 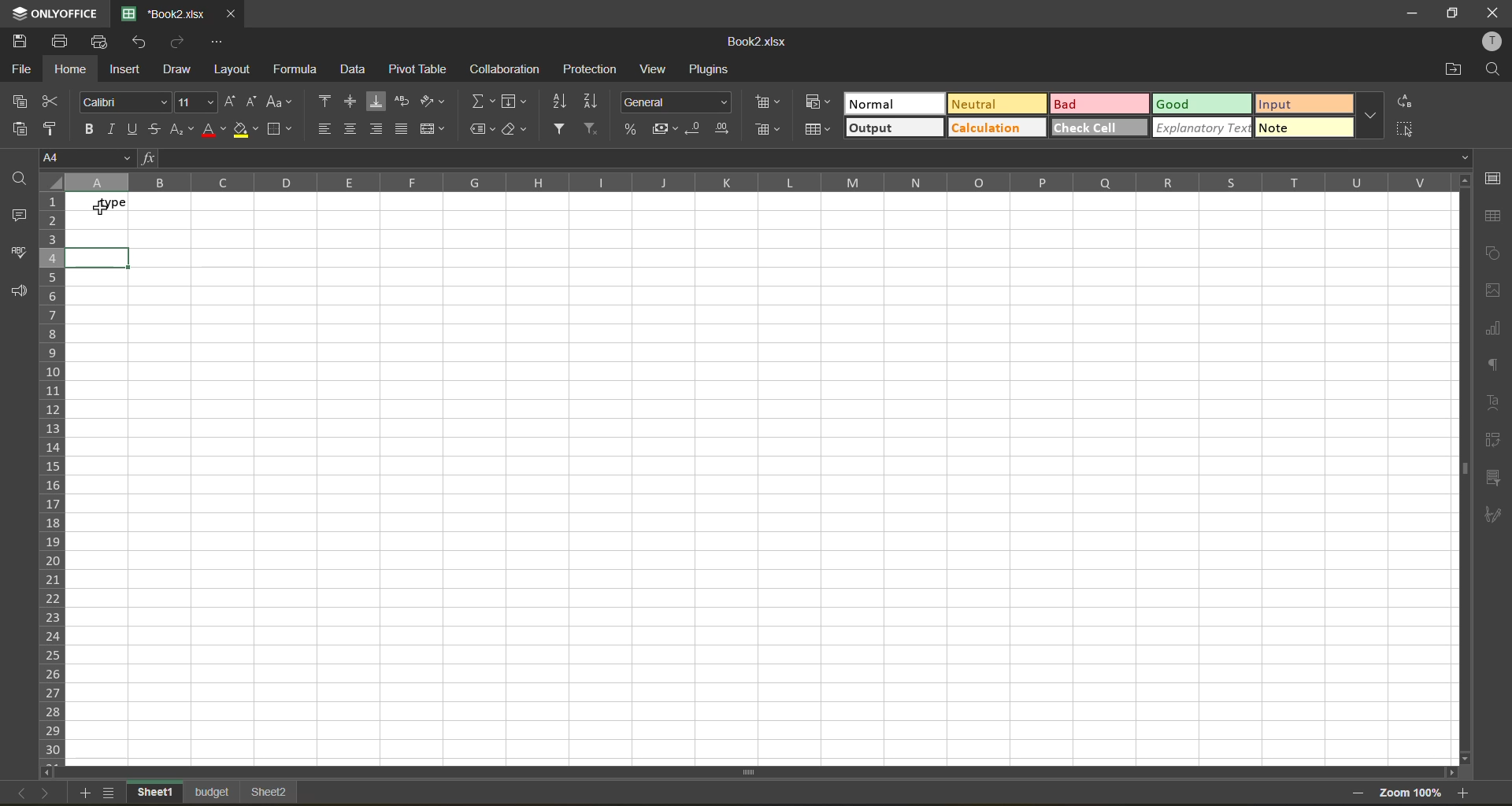 I want to click on text, so click(x=1495, y=401).